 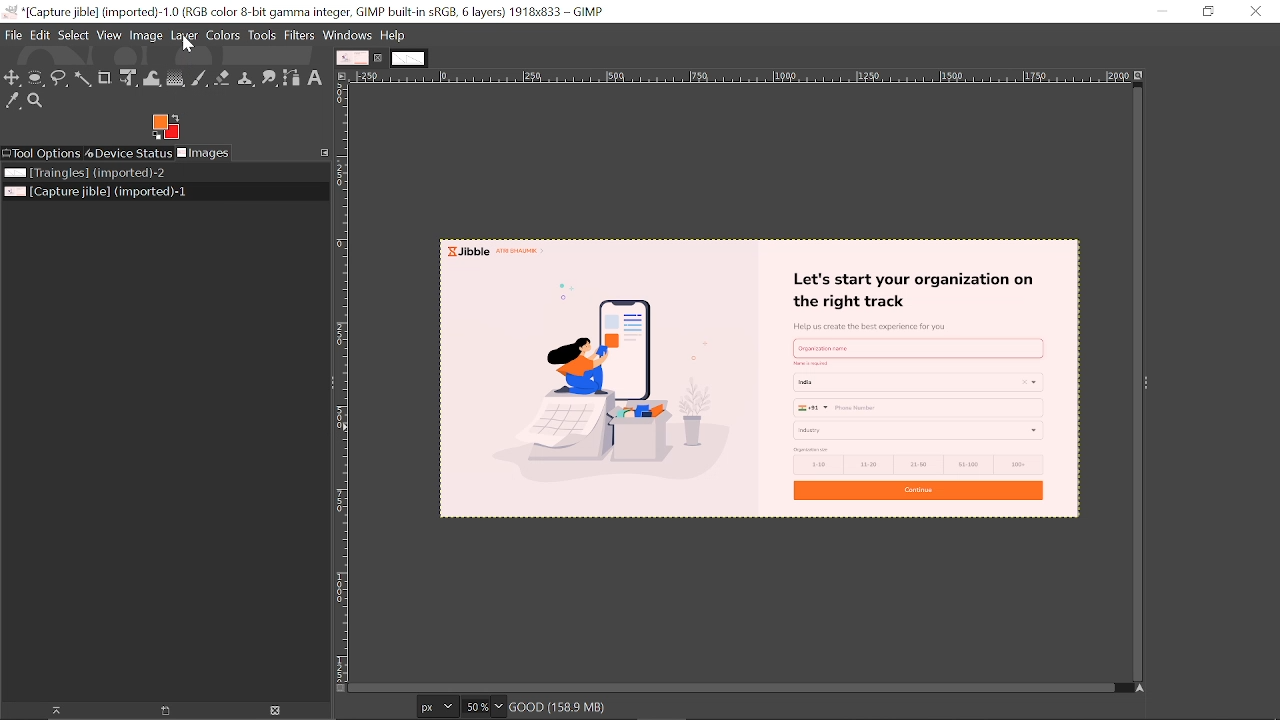 I want to click on Smudge tool, so click(x=270, y=78).